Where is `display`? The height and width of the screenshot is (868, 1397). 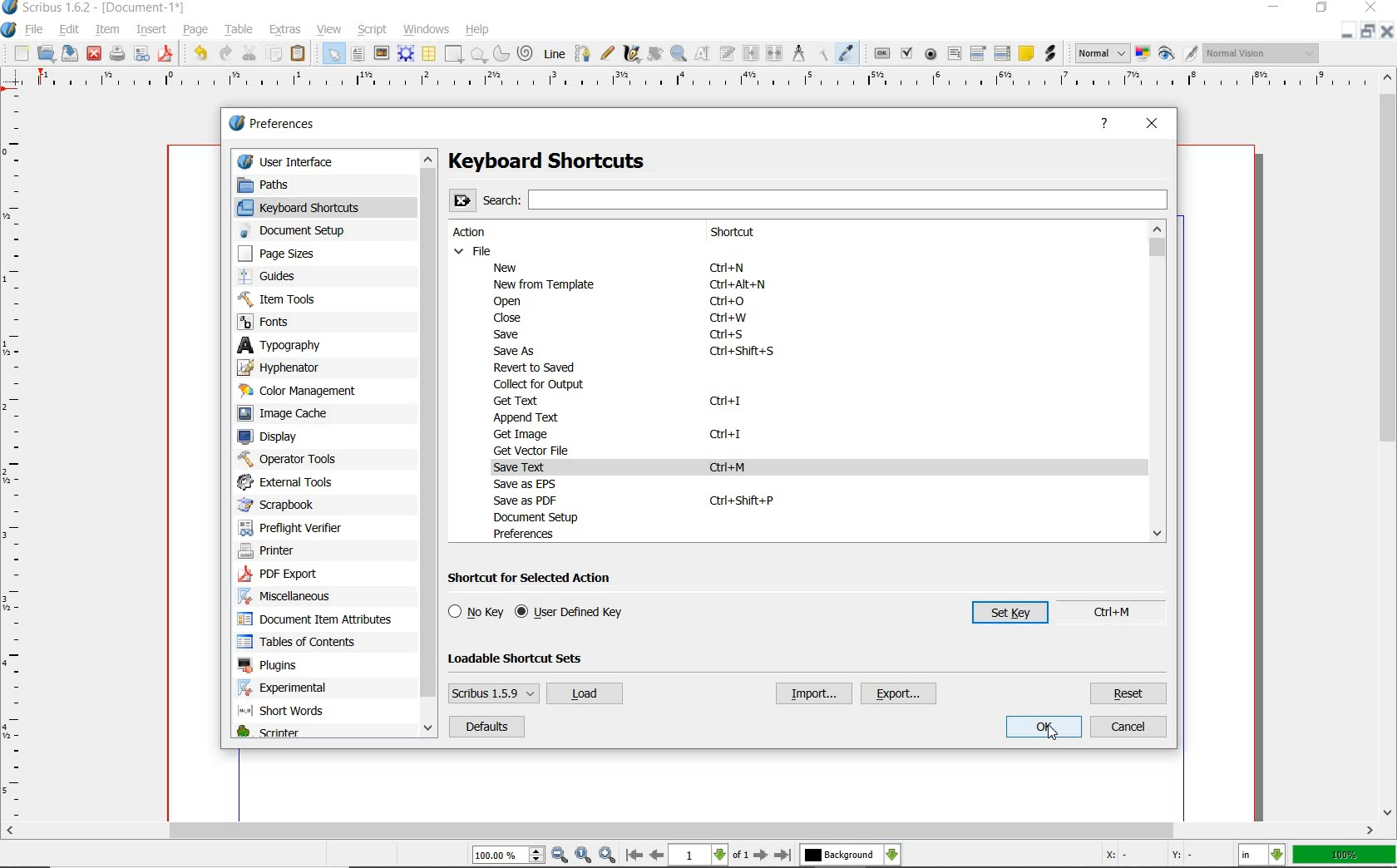 display is located at coordinates (276, 436).